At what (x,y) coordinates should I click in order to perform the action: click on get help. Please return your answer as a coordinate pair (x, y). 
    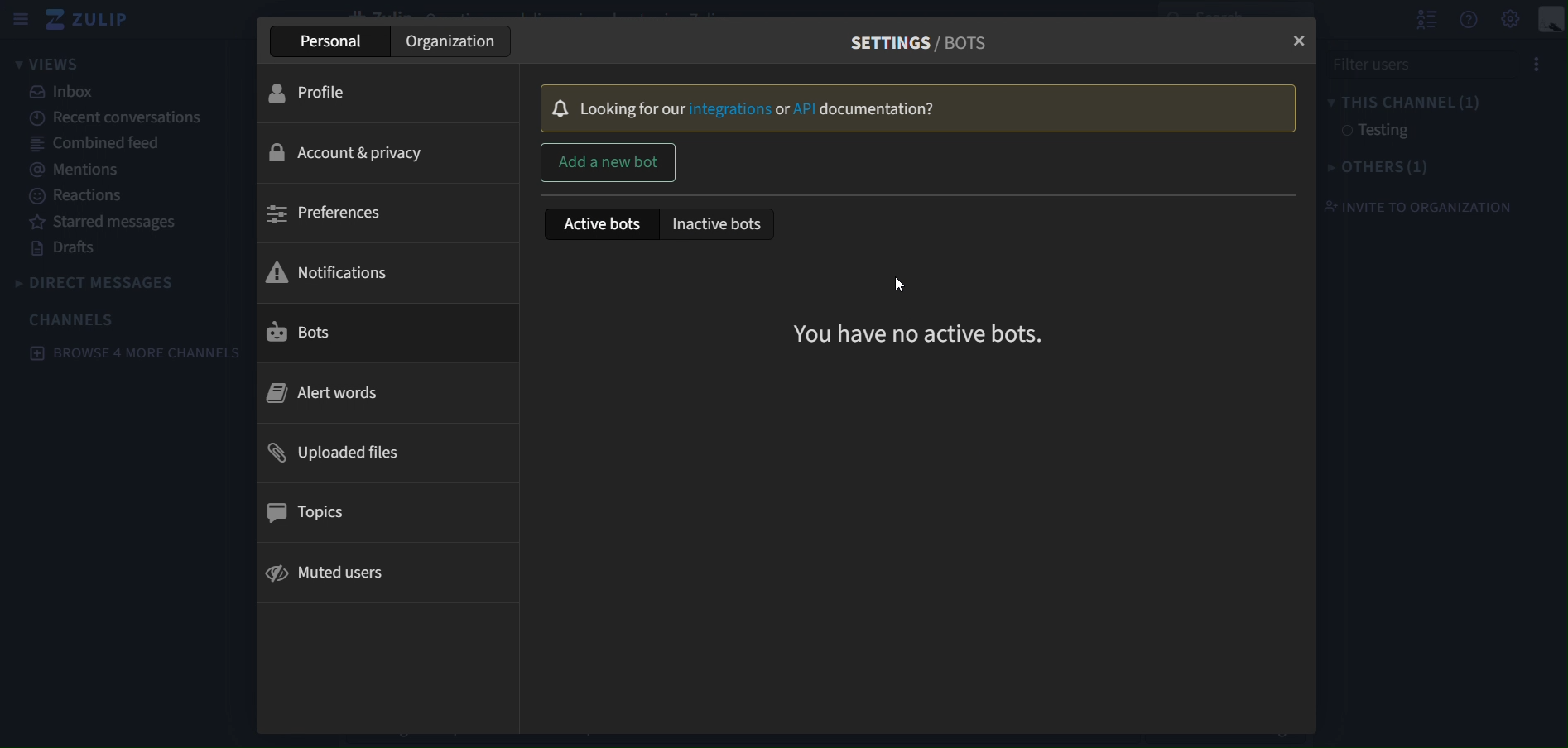
    Looking at the image, I should click on (1468, 23).